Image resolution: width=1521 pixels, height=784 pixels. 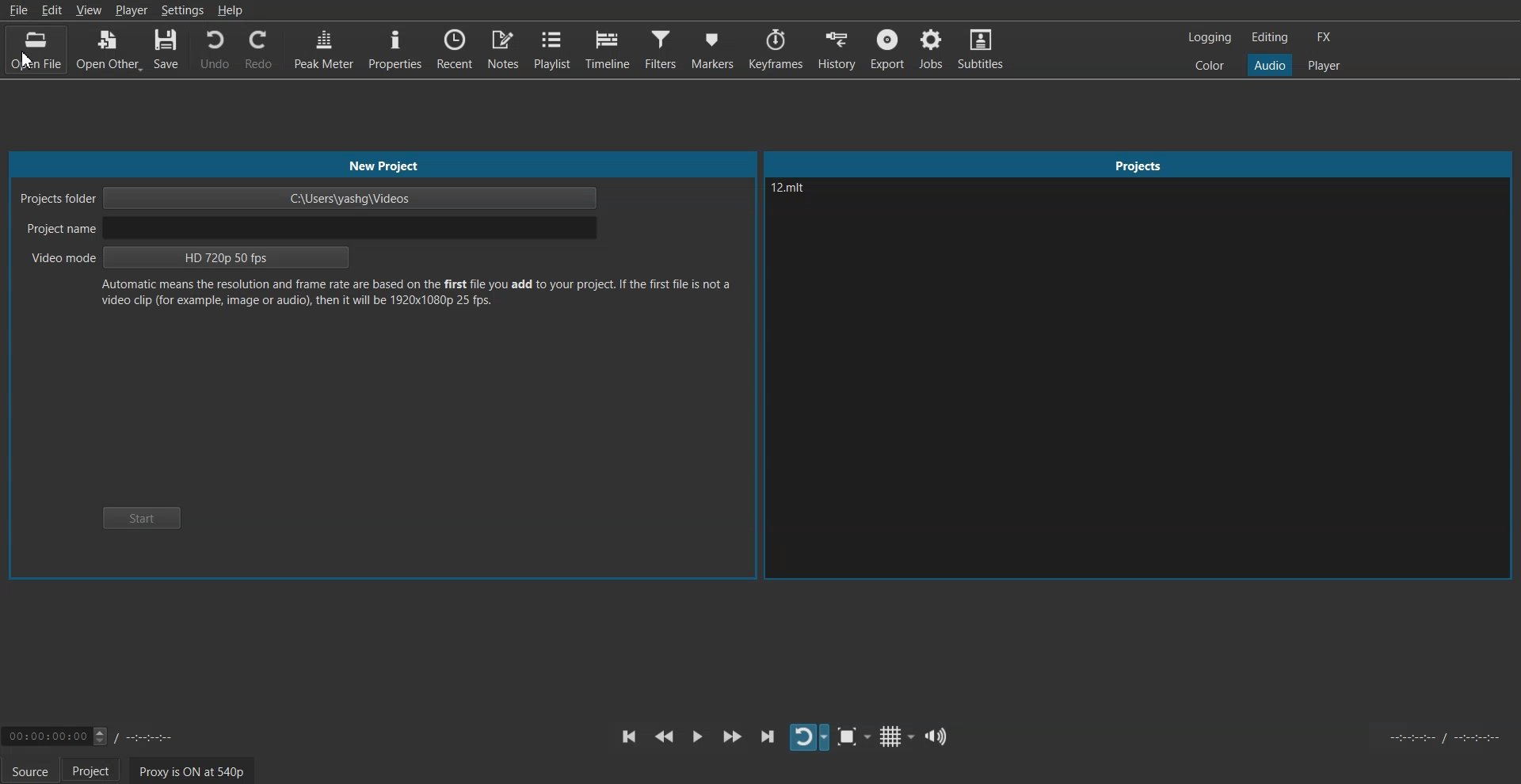 I want to click on Project, so click(x=91, y=770).